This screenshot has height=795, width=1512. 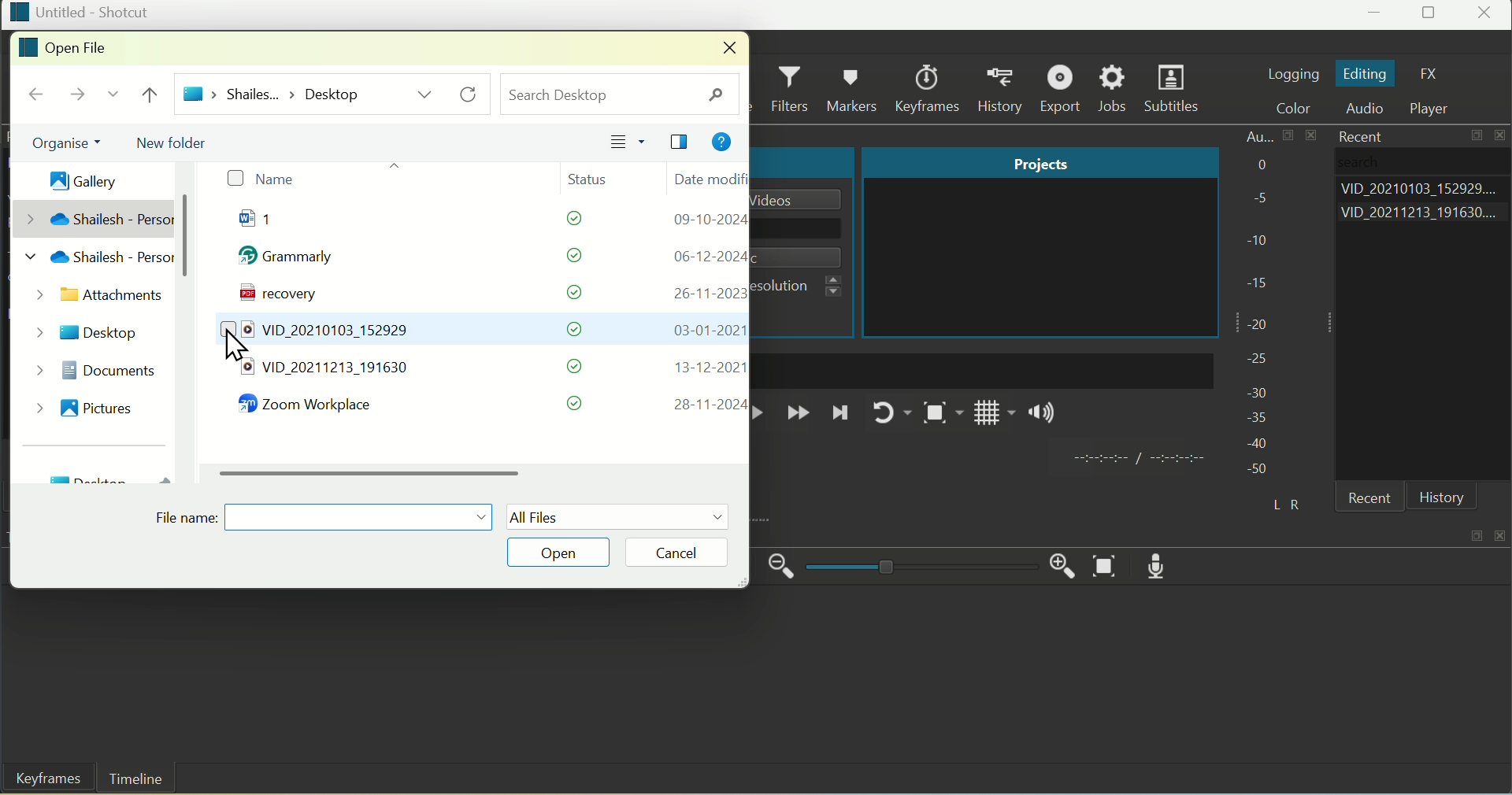 I want to click on Close, so click(x=1487, y=15).